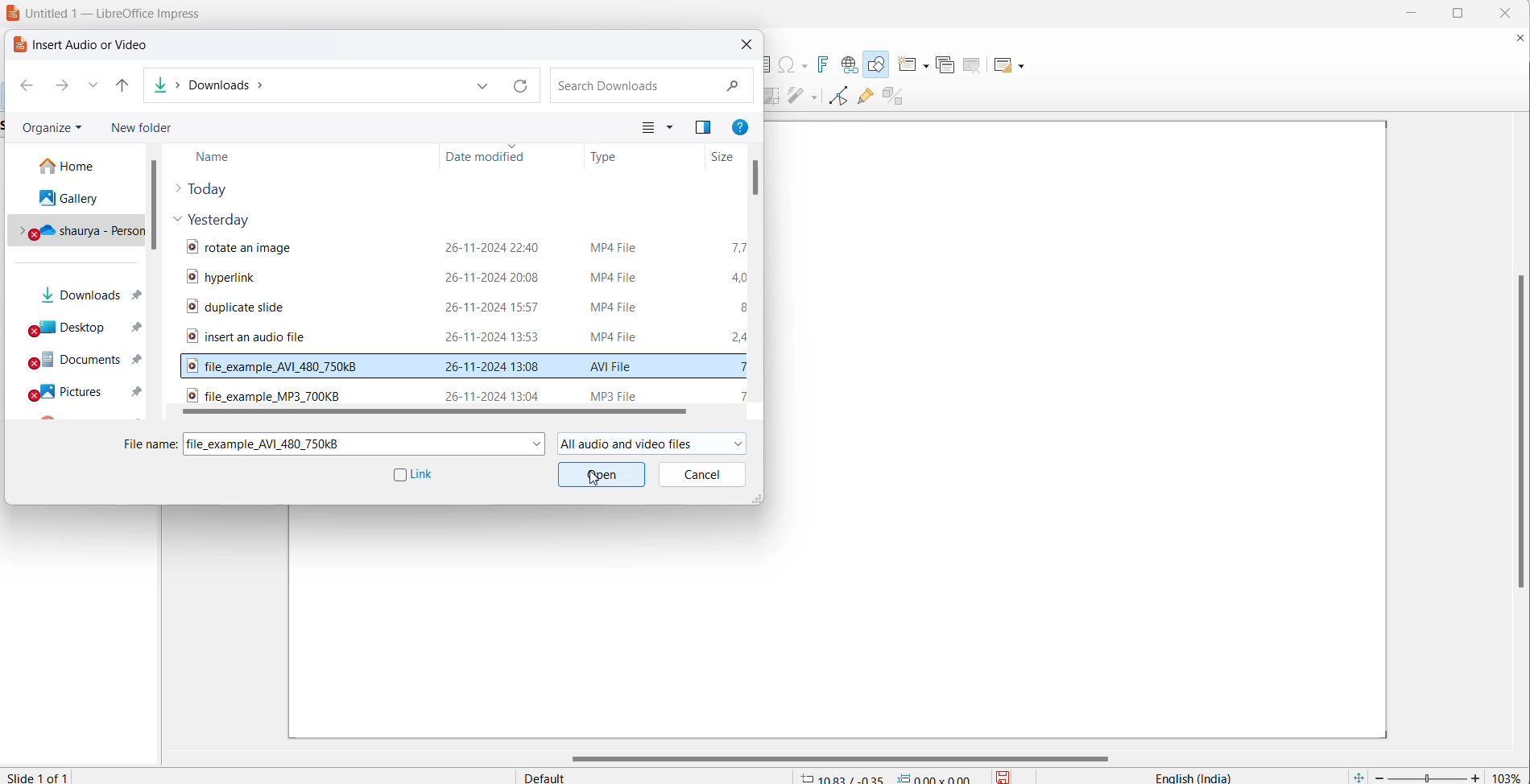 The height and width of the screenshot is (784, 1530). What do you see at coordinates (1517, 41) in the screenshot?
I see `close document` at bounding box center [1517, 41].